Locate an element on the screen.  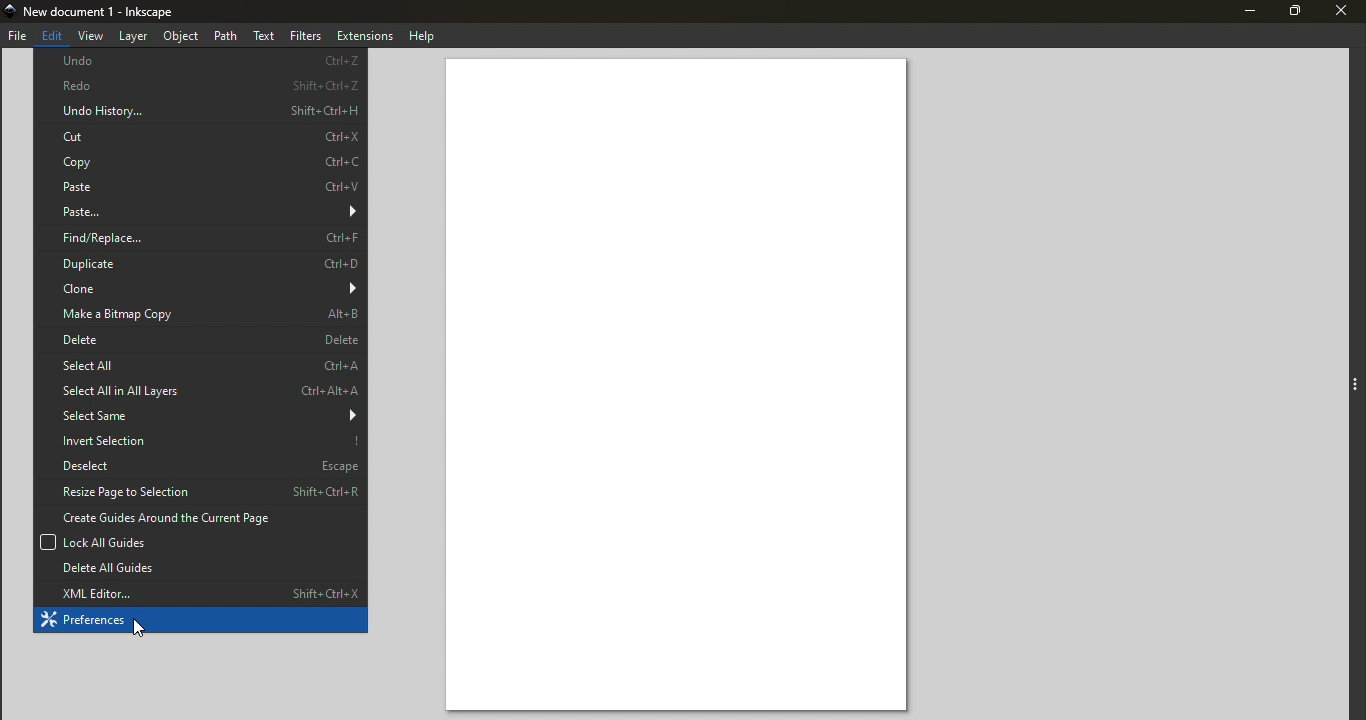
Clone is located at coordinates (200, 289).